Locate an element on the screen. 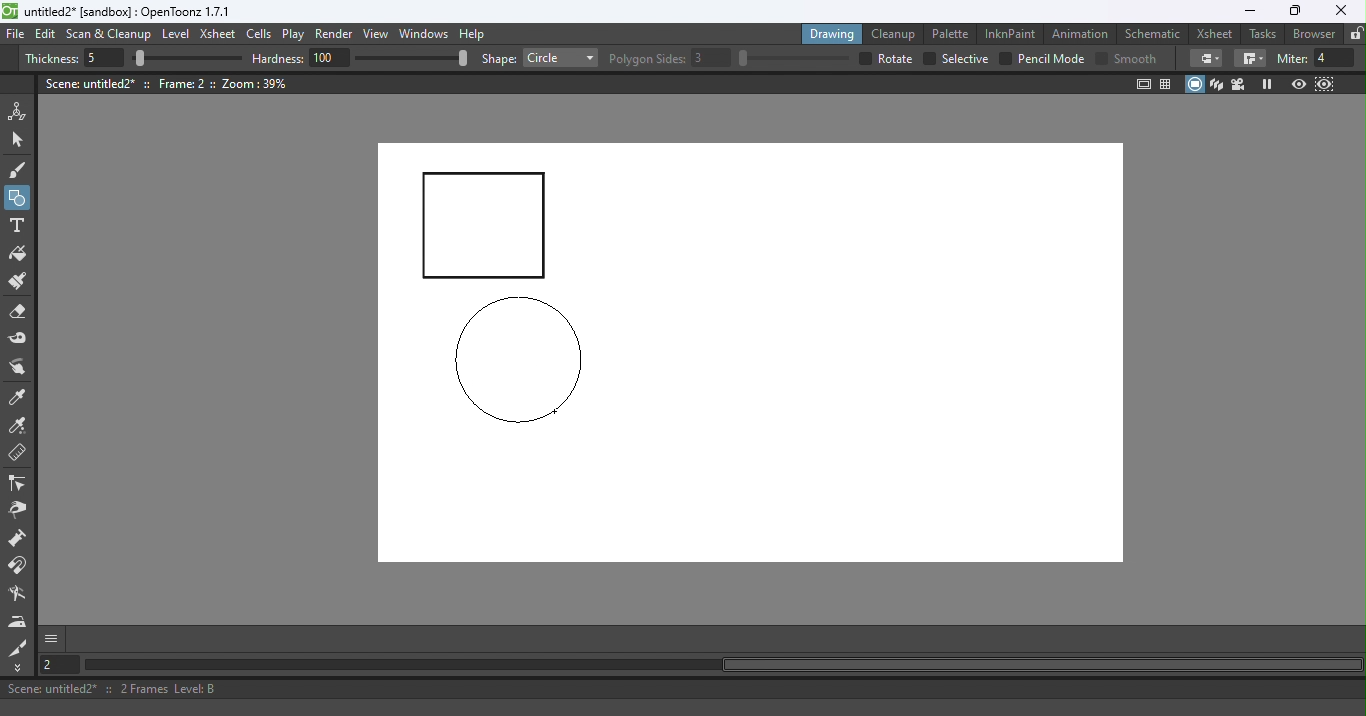 This screenshot has width=1366, height=716. Polygon slides is located at coordinates (647, 59).